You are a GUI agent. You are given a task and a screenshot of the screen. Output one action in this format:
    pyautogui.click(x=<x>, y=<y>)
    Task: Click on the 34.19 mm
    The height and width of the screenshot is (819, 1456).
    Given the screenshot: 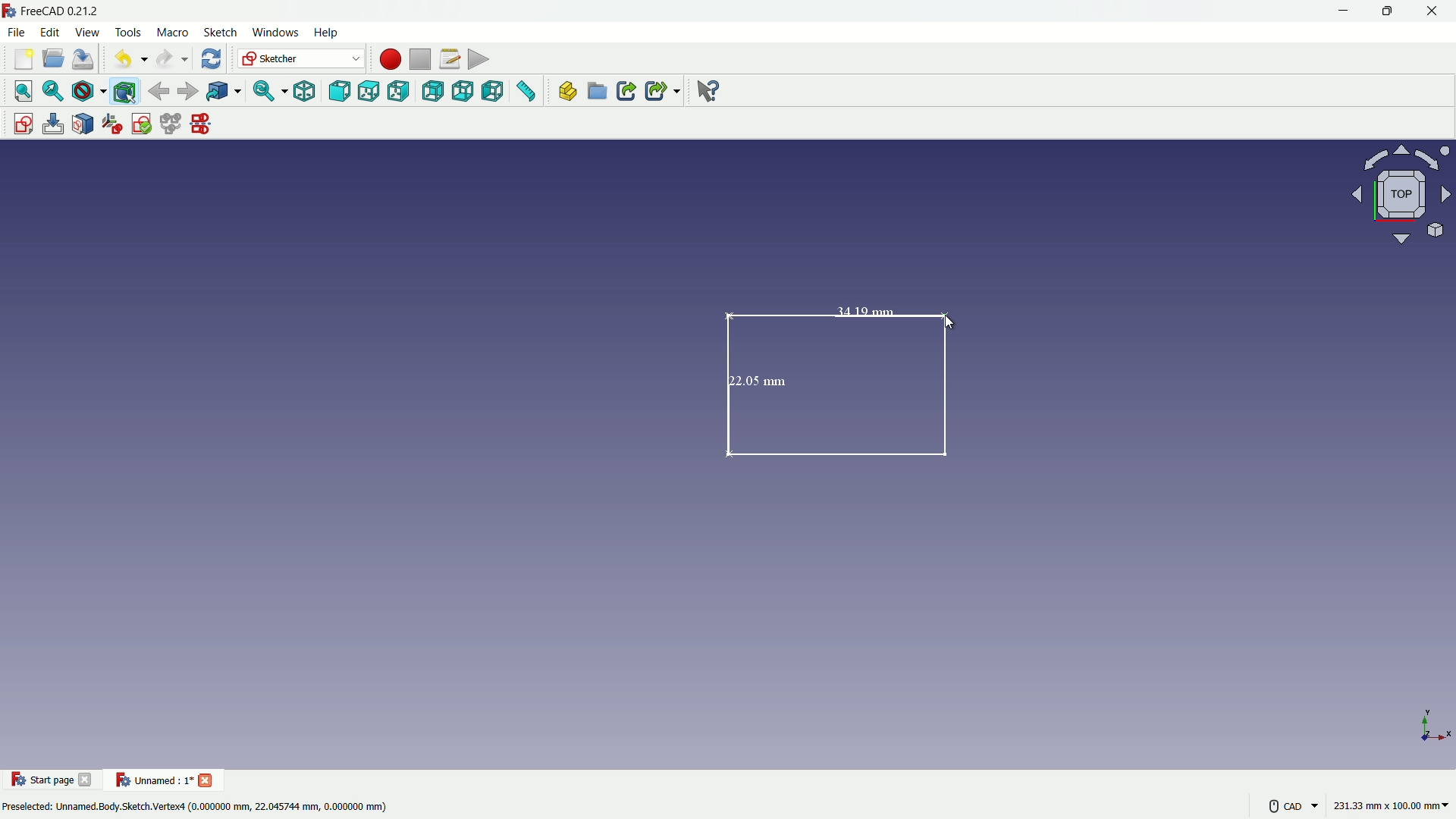 What is the action you would take?
    pyautogui.click(x=849, y=309)
    